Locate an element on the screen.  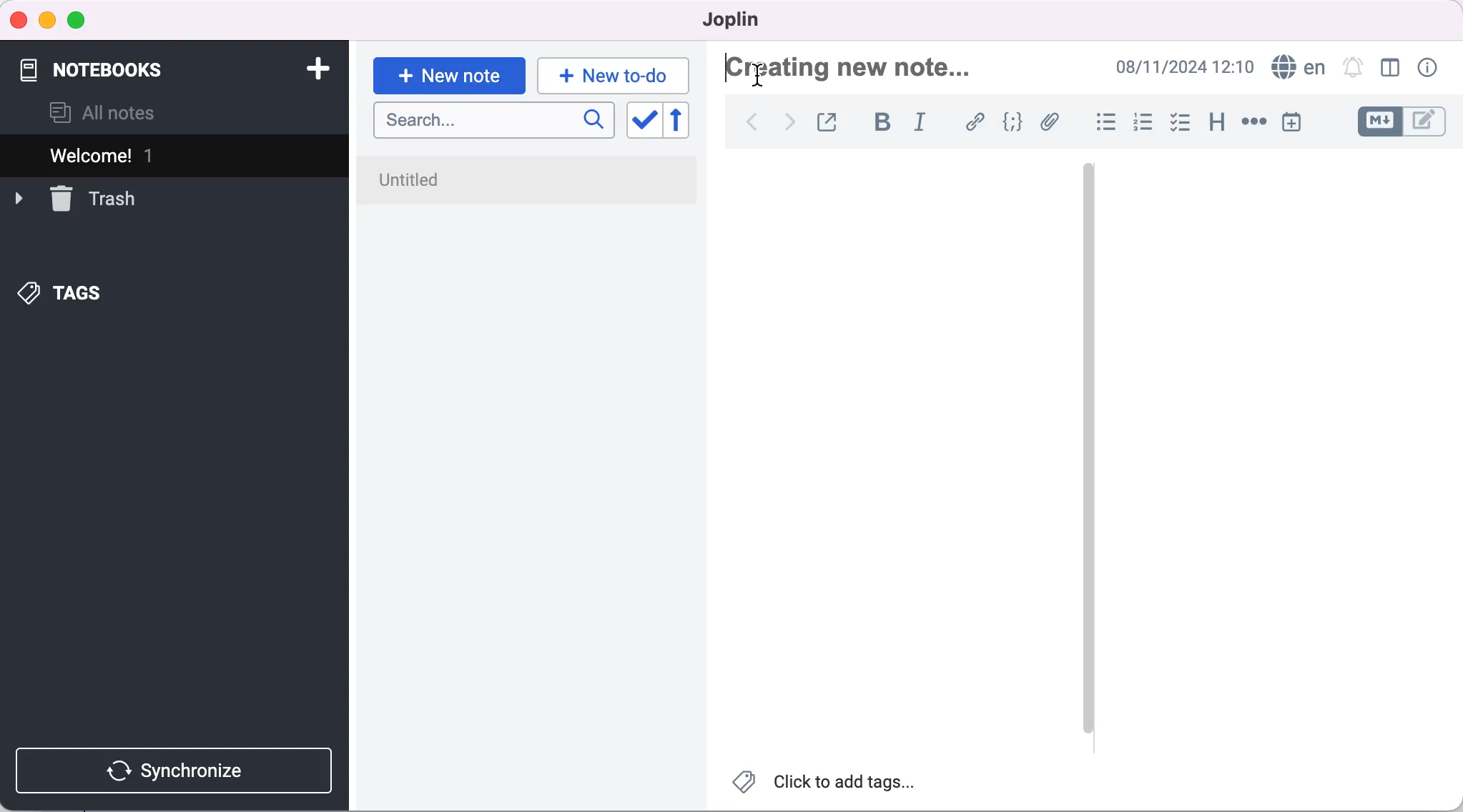
blank canvas is located at coordinates (1254, 458).